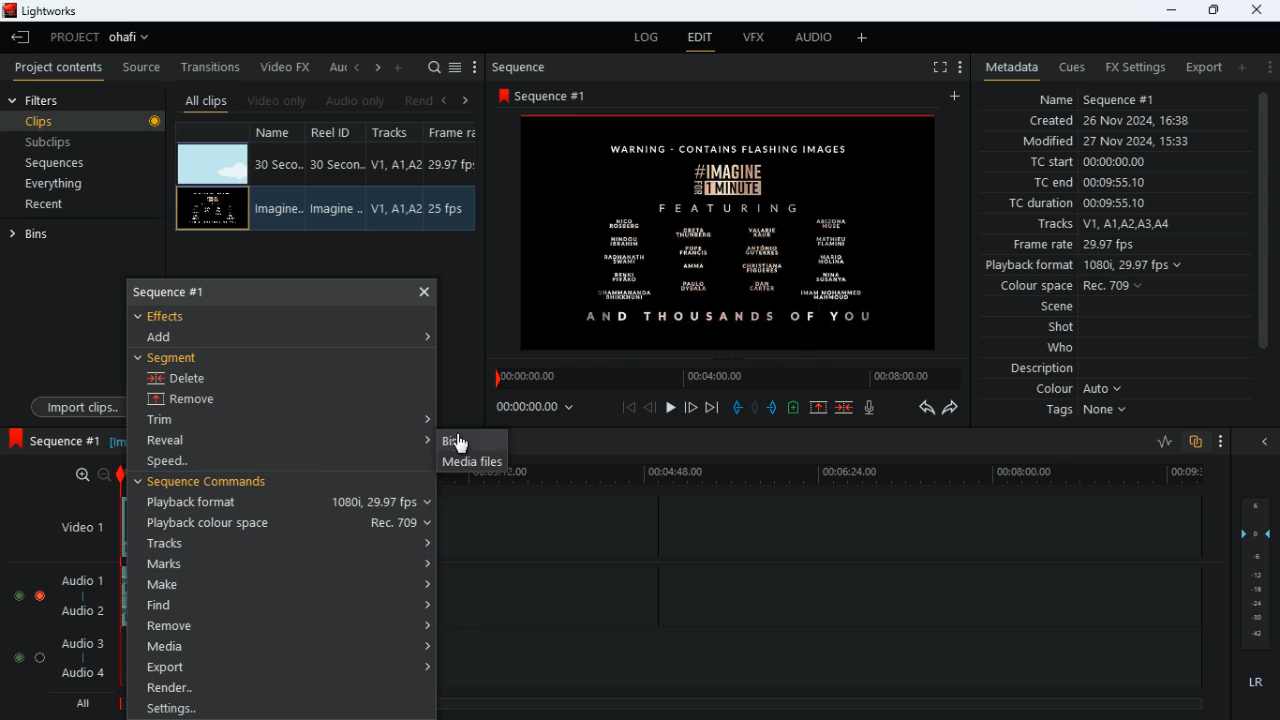  What do you see at coordinates (283, 565) in the screenshot?
I see `marks` at bounding box center [283, 565].